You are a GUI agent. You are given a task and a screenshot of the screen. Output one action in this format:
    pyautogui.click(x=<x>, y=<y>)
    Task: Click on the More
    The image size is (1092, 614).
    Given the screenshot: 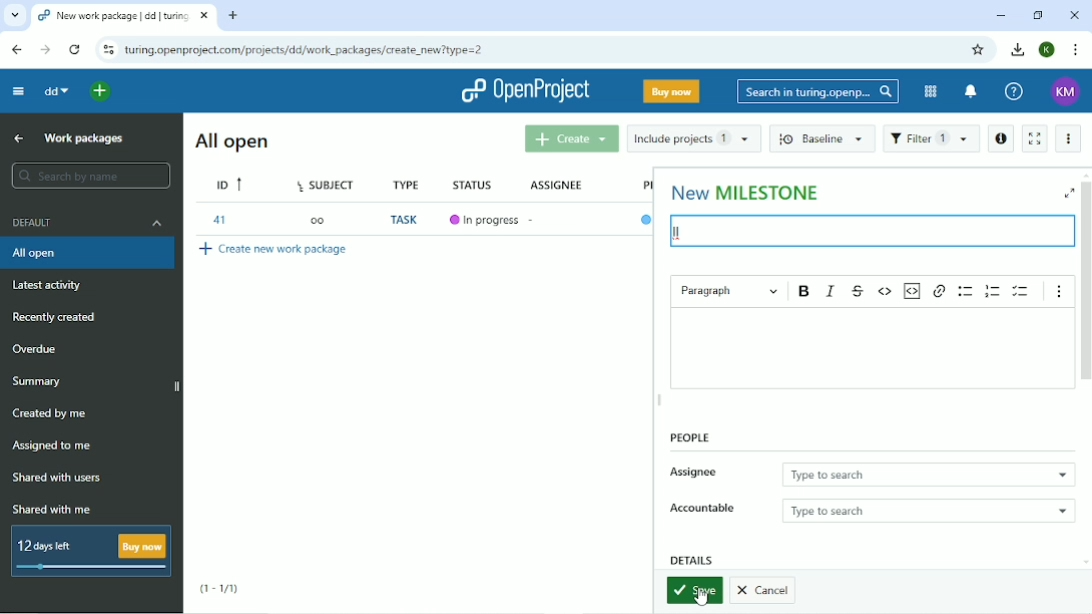 What is the action you would take?
    pyautogui.click(x=1068, y=138)
    